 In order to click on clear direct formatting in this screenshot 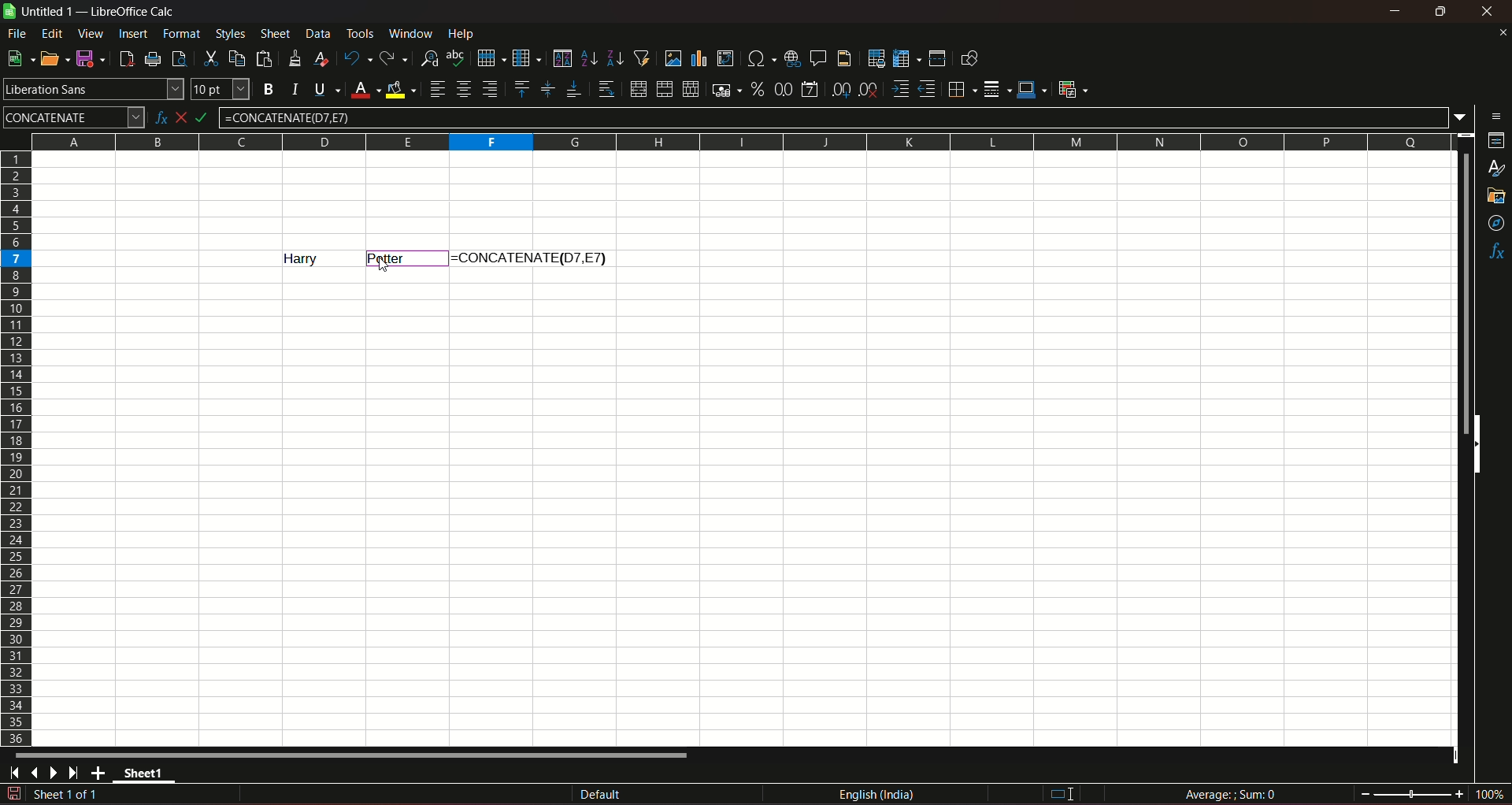, I will do `click(324, 58)`.